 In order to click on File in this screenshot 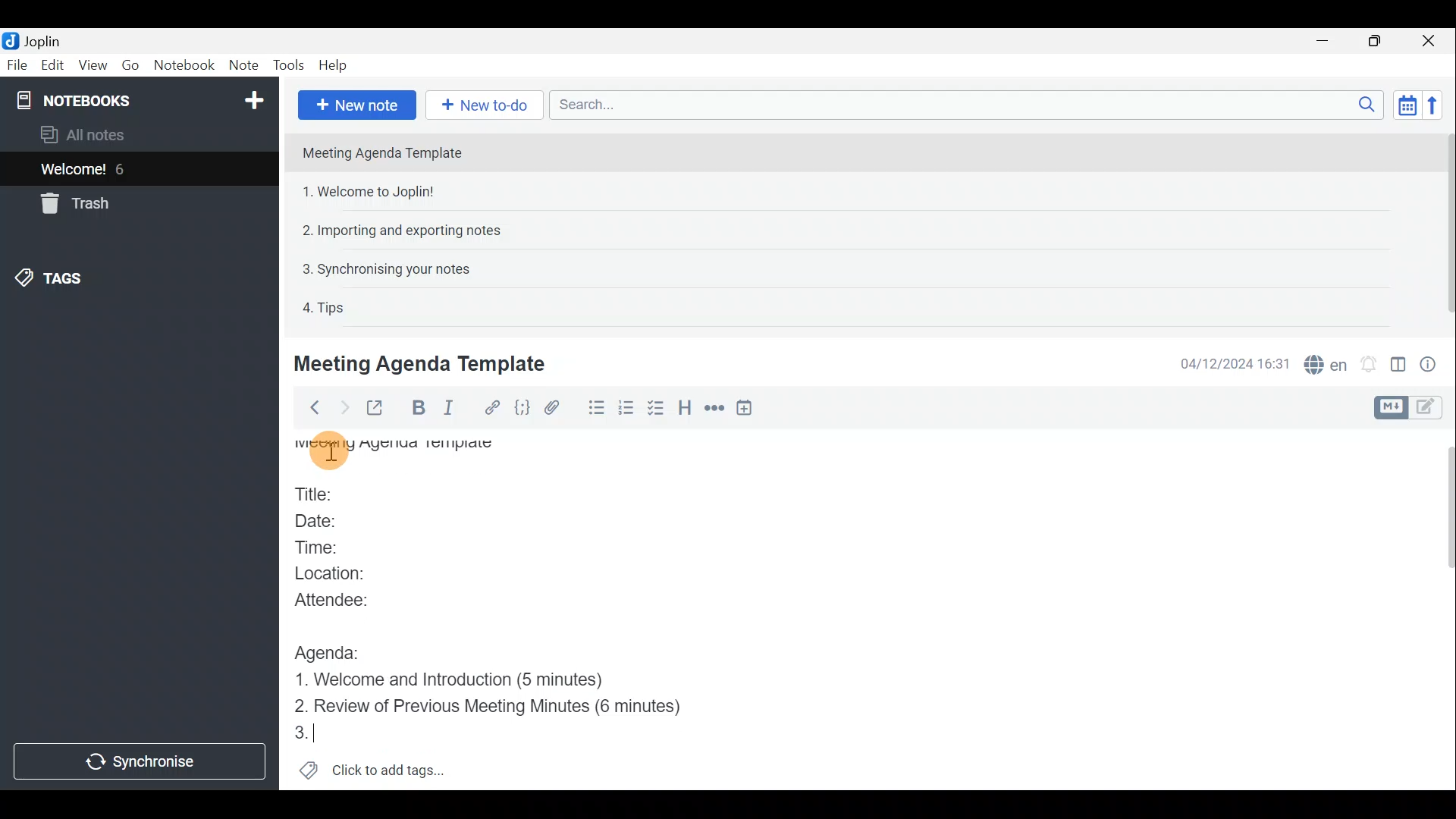, I will do `click(17, 64)`.